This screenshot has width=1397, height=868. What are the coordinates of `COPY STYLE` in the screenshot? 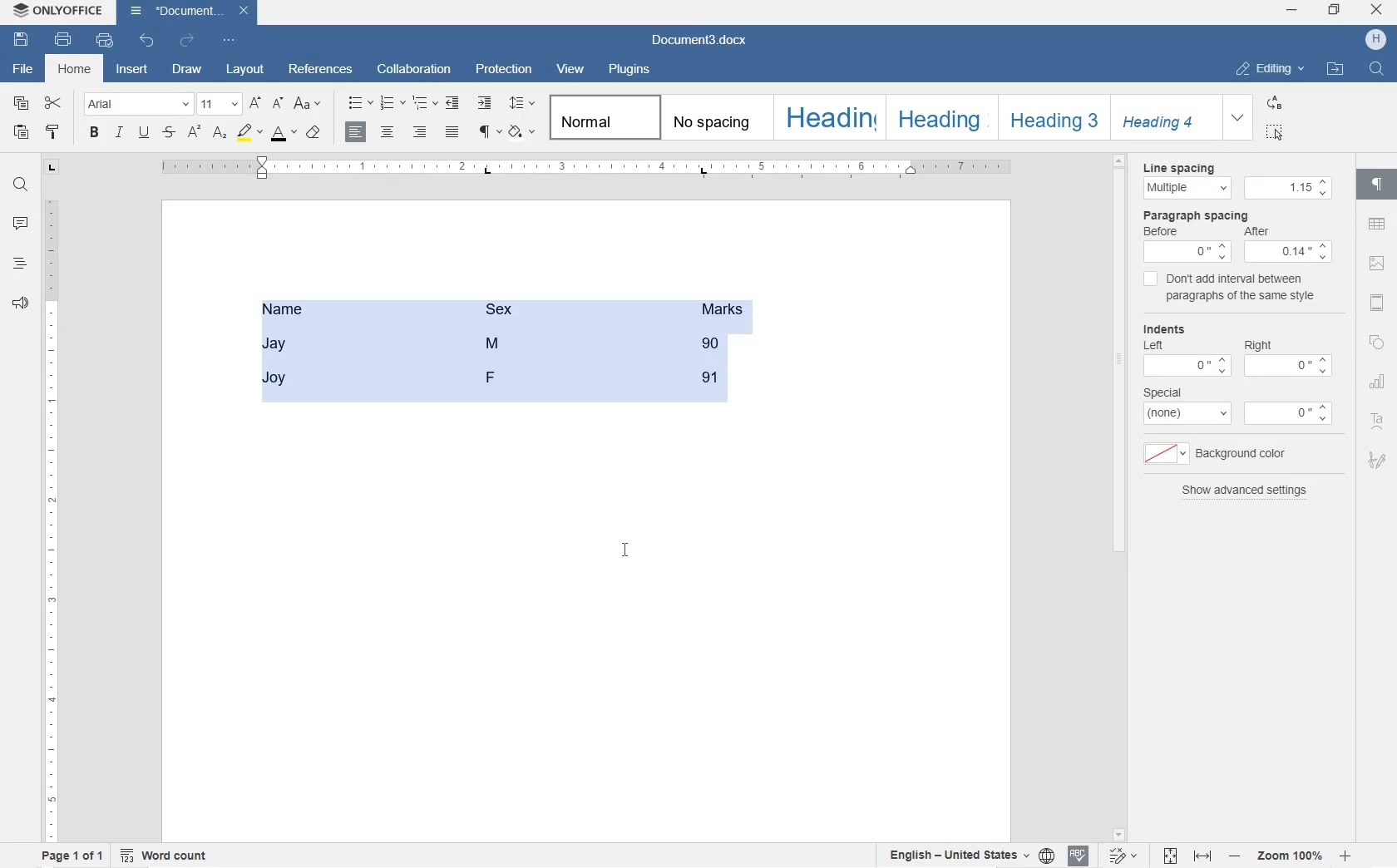 It's located at (314, 134).